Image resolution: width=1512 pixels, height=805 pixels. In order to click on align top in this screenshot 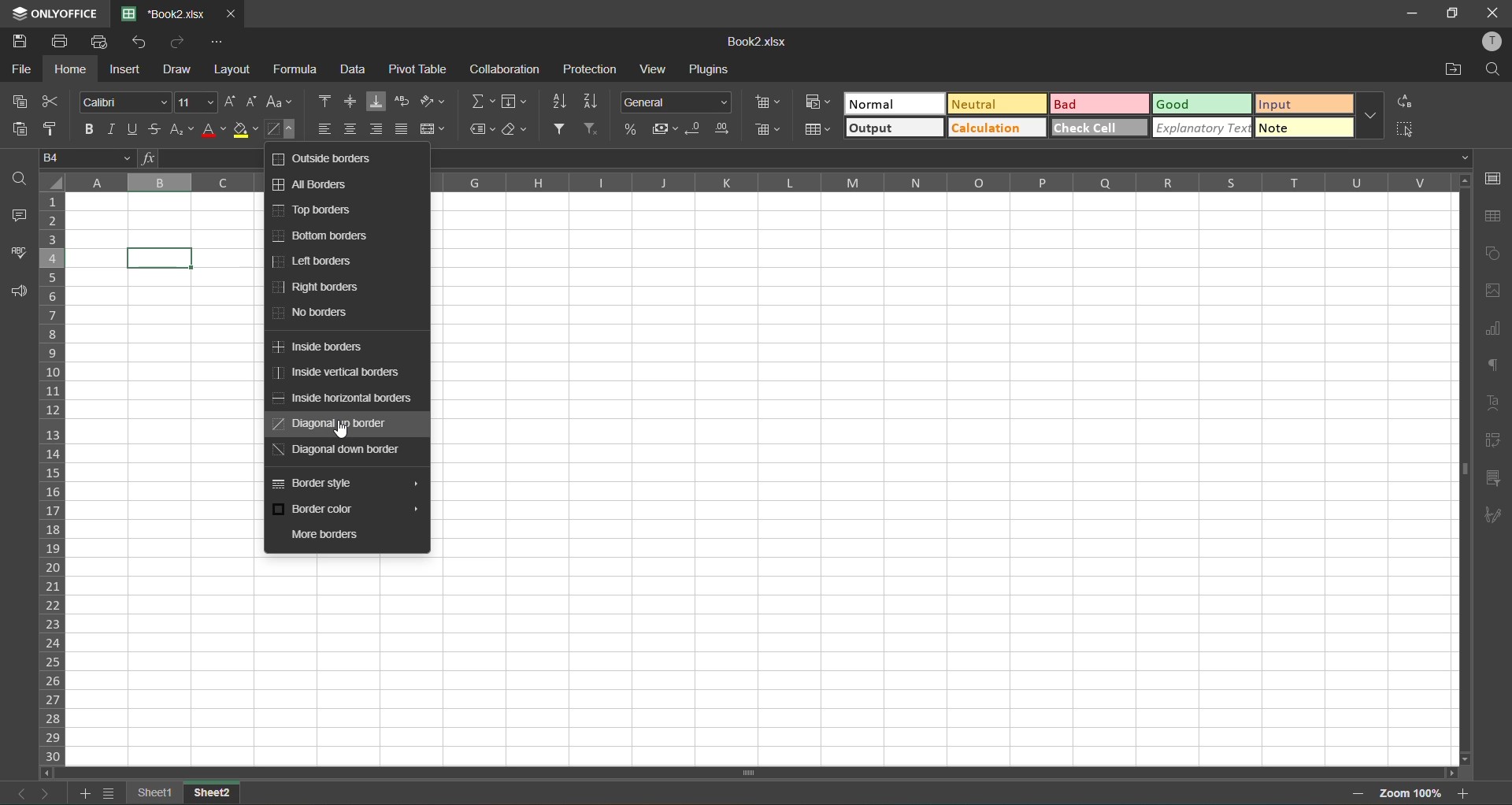, I will do `click(327, 101)`.